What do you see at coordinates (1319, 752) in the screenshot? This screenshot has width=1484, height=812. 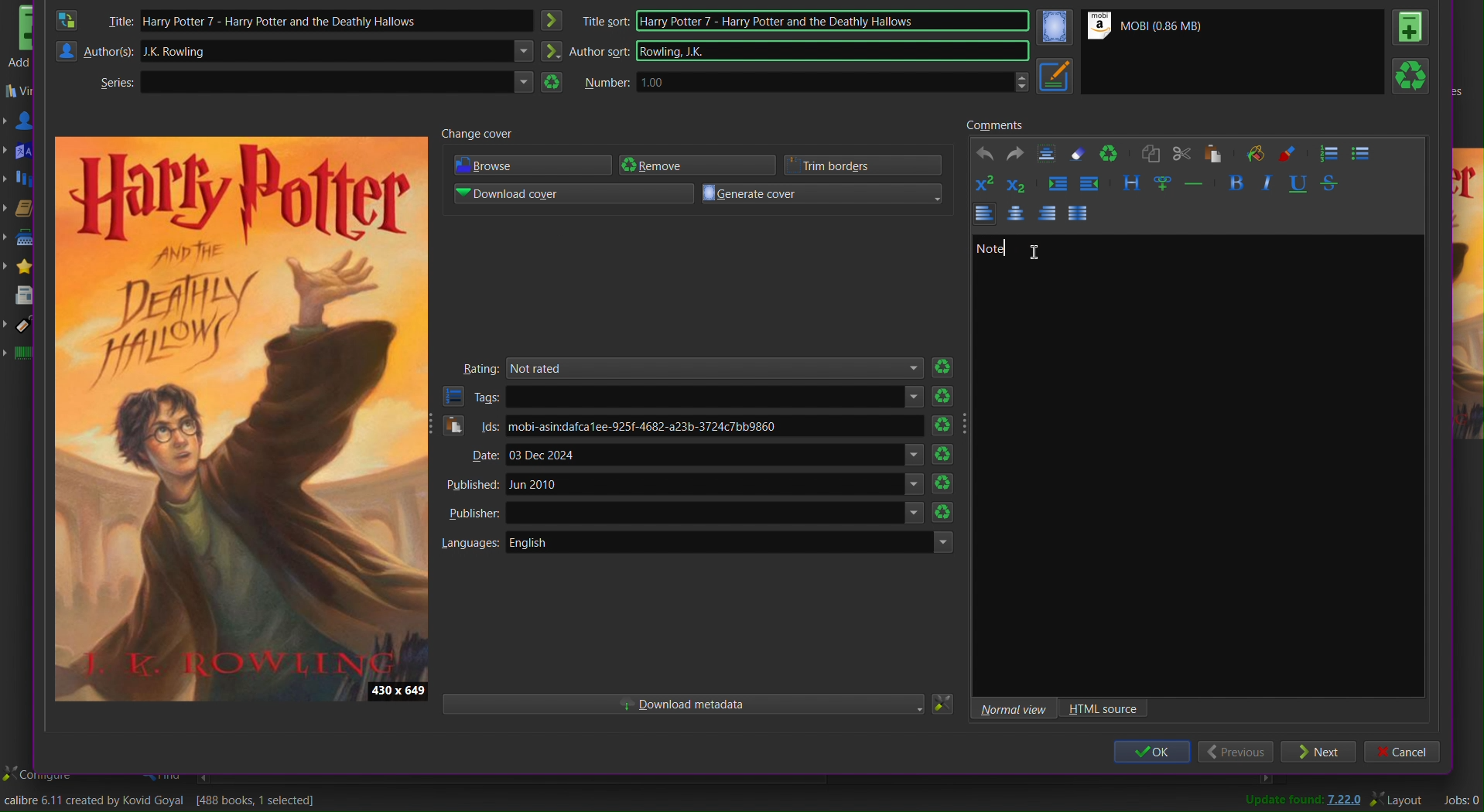 I see `Next` at bounding box center [1319, 752].